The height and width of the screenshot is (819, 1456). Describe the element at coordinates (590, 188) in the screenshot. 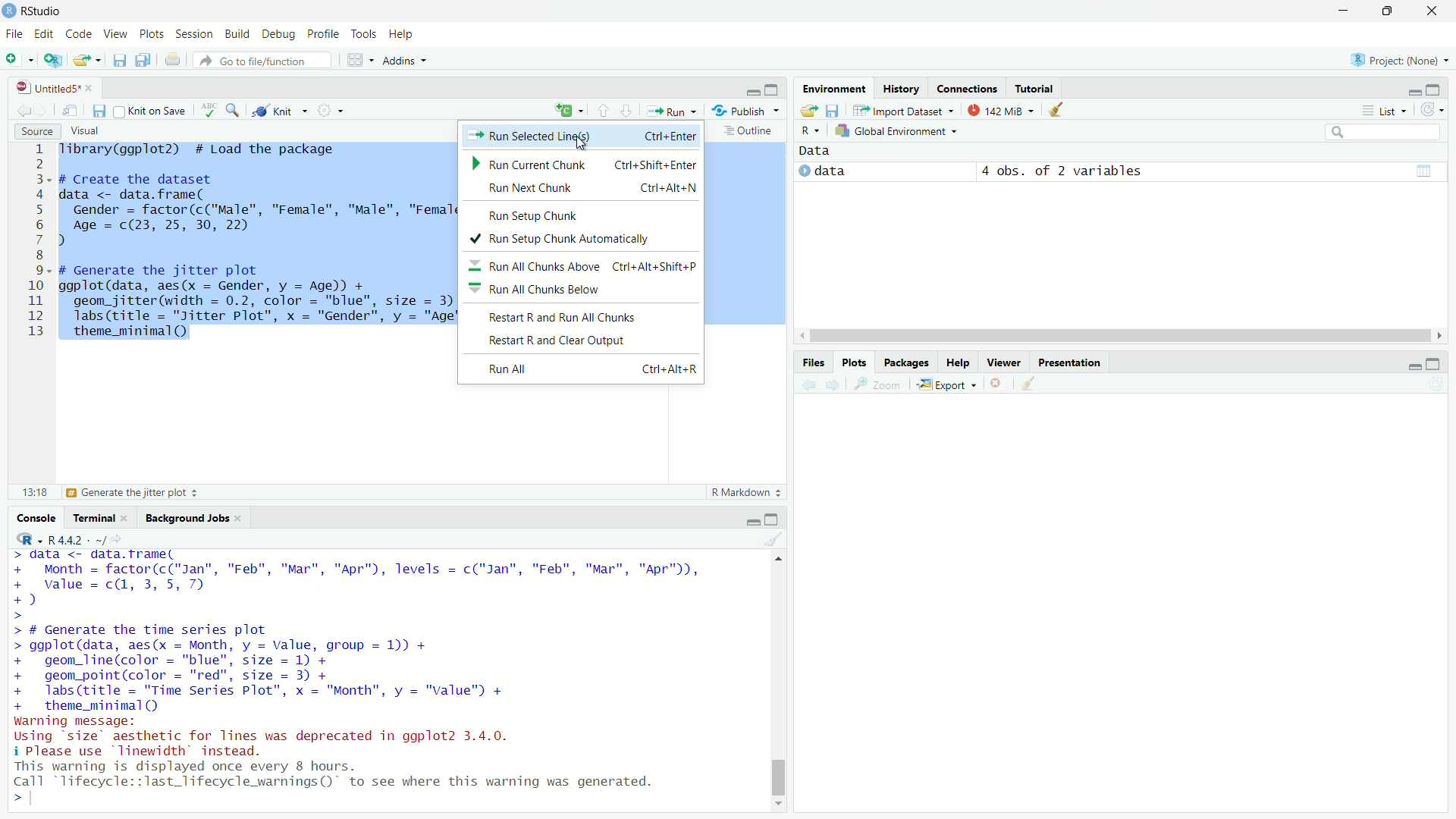

I see `Run Next Chunk` at that location.